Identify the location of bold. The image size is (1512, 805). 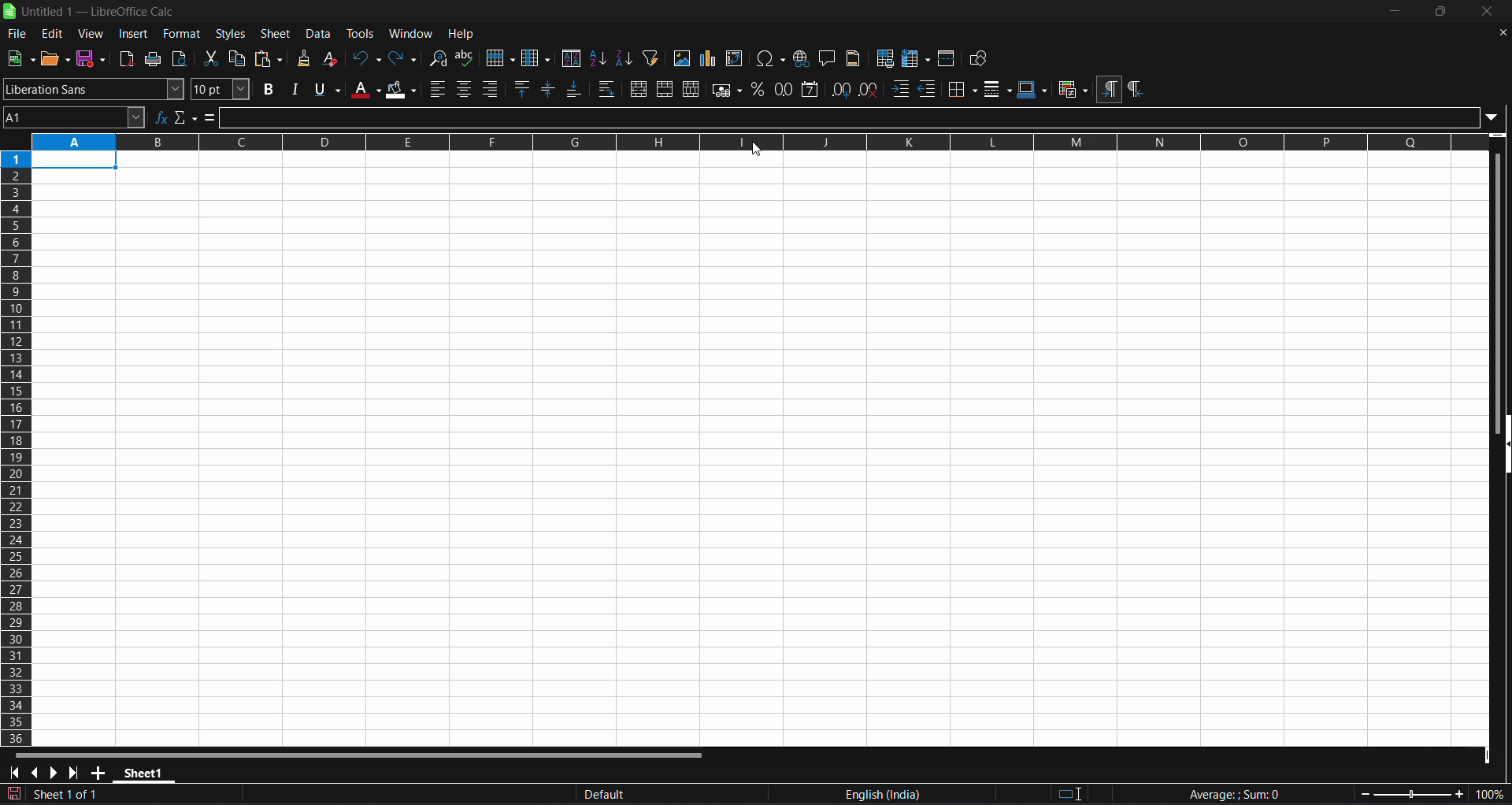
(269, 89).